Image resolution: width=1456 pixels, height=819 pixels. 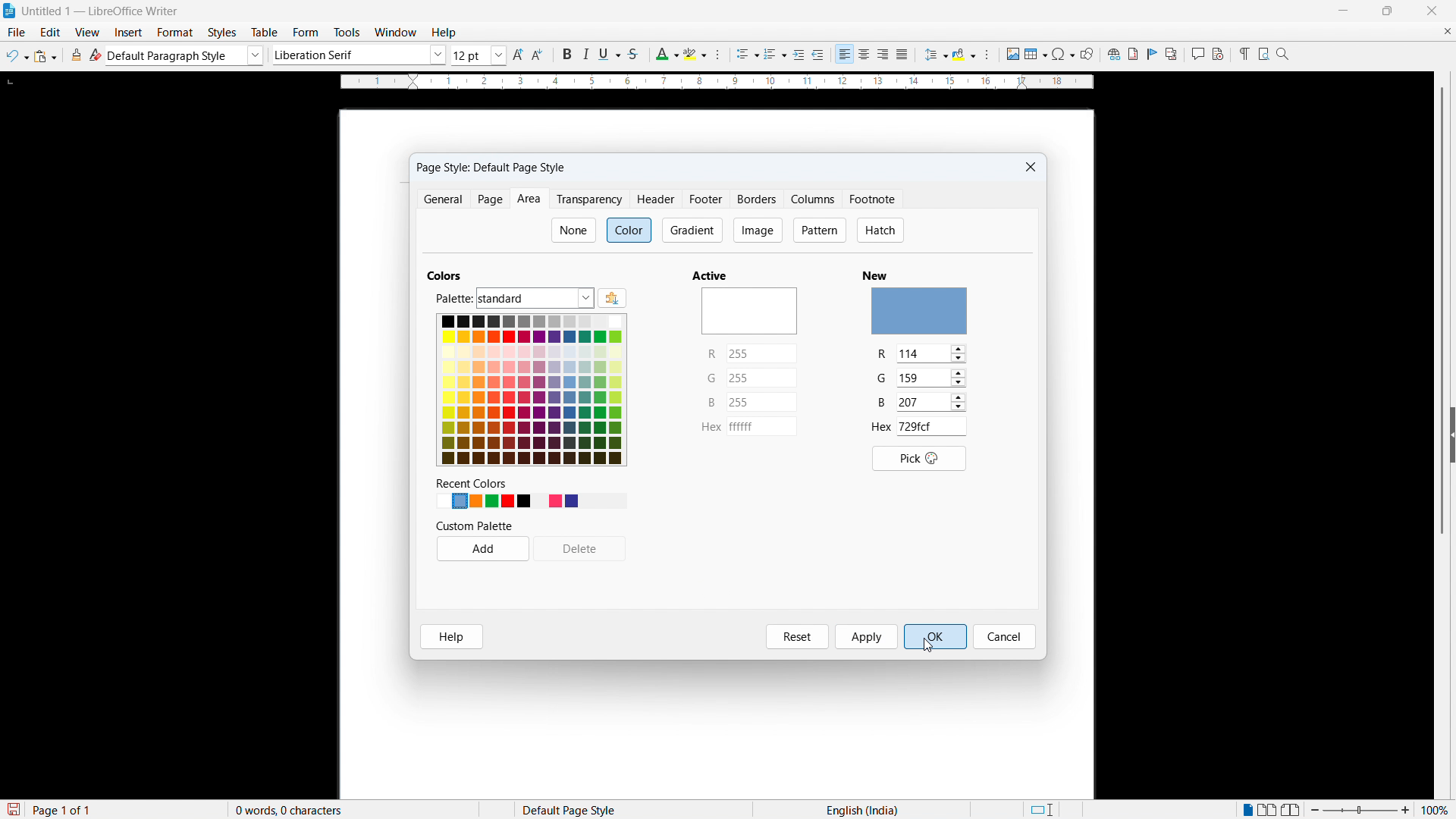 I want to click on Print preview , so click(x=1263, y=52).